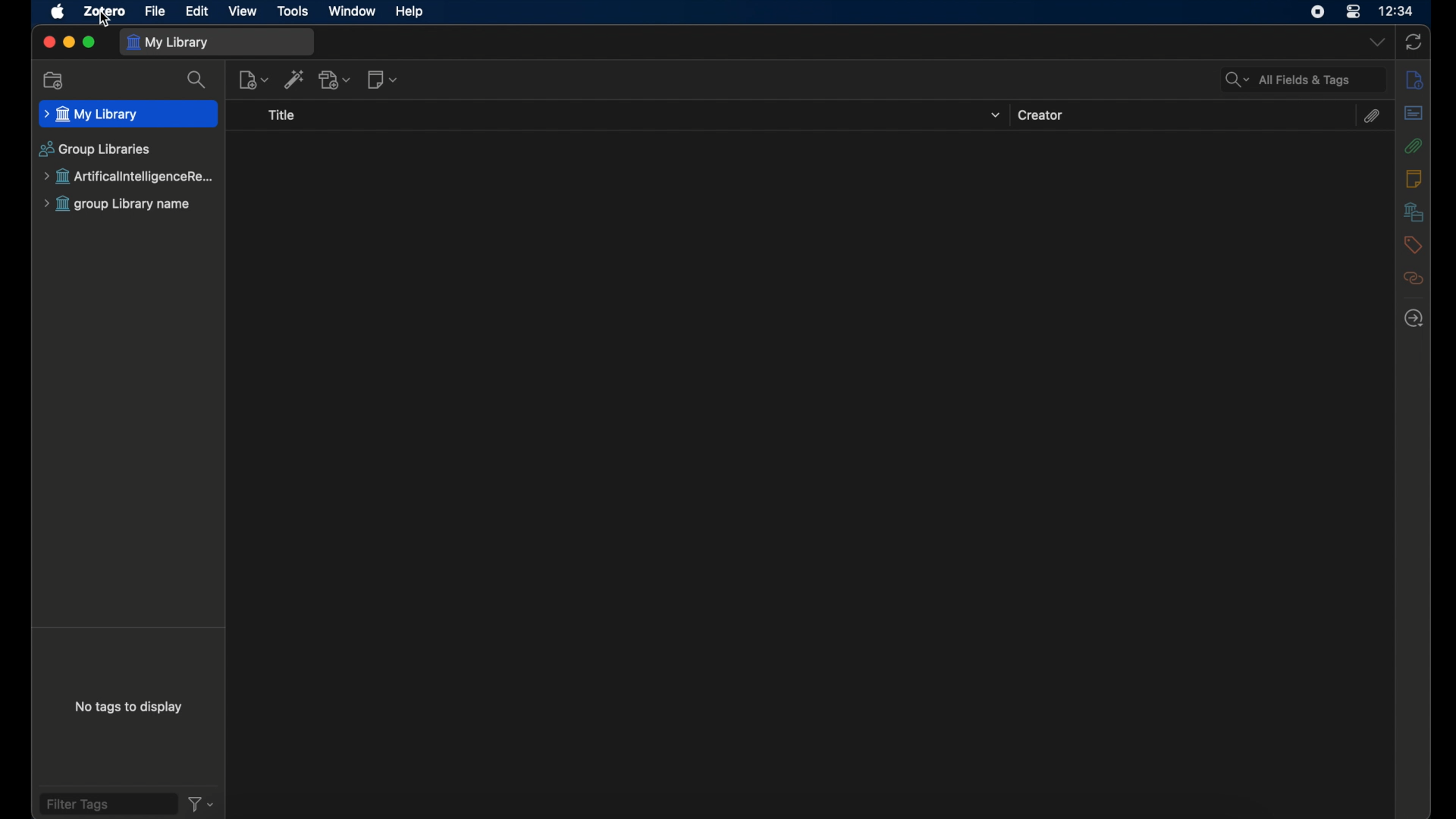  What do you see at coordinates (127, 115) in the screenshot?
I see `my library` at bounding box center [127, 115].